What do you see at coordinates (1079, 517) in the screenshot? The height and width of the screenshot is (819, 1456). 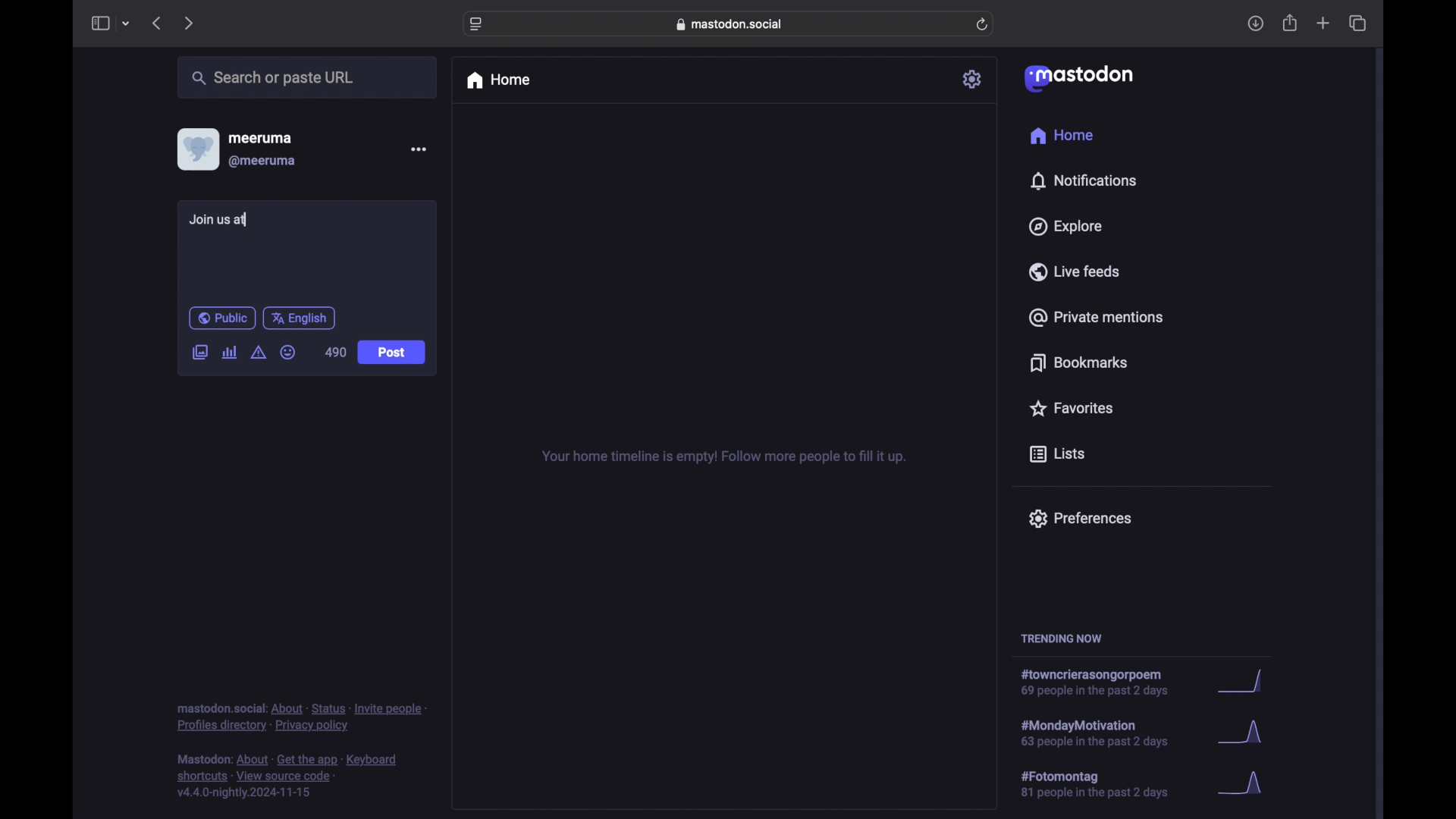 I see `preferences` at bounding box center [1079, 517].